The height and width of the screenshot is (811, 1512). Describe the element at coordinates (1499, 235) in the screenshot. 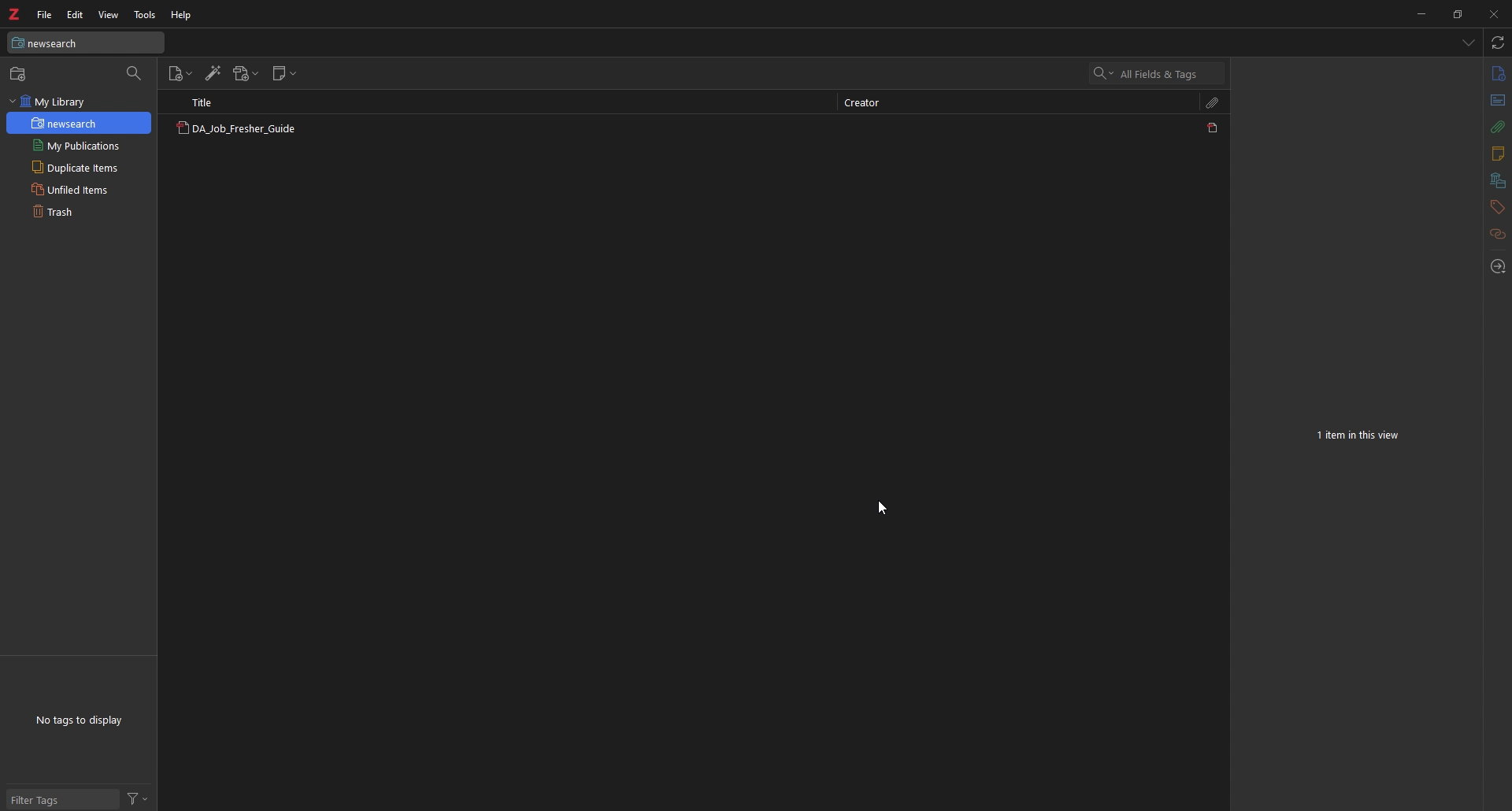

I see `related` at that location.